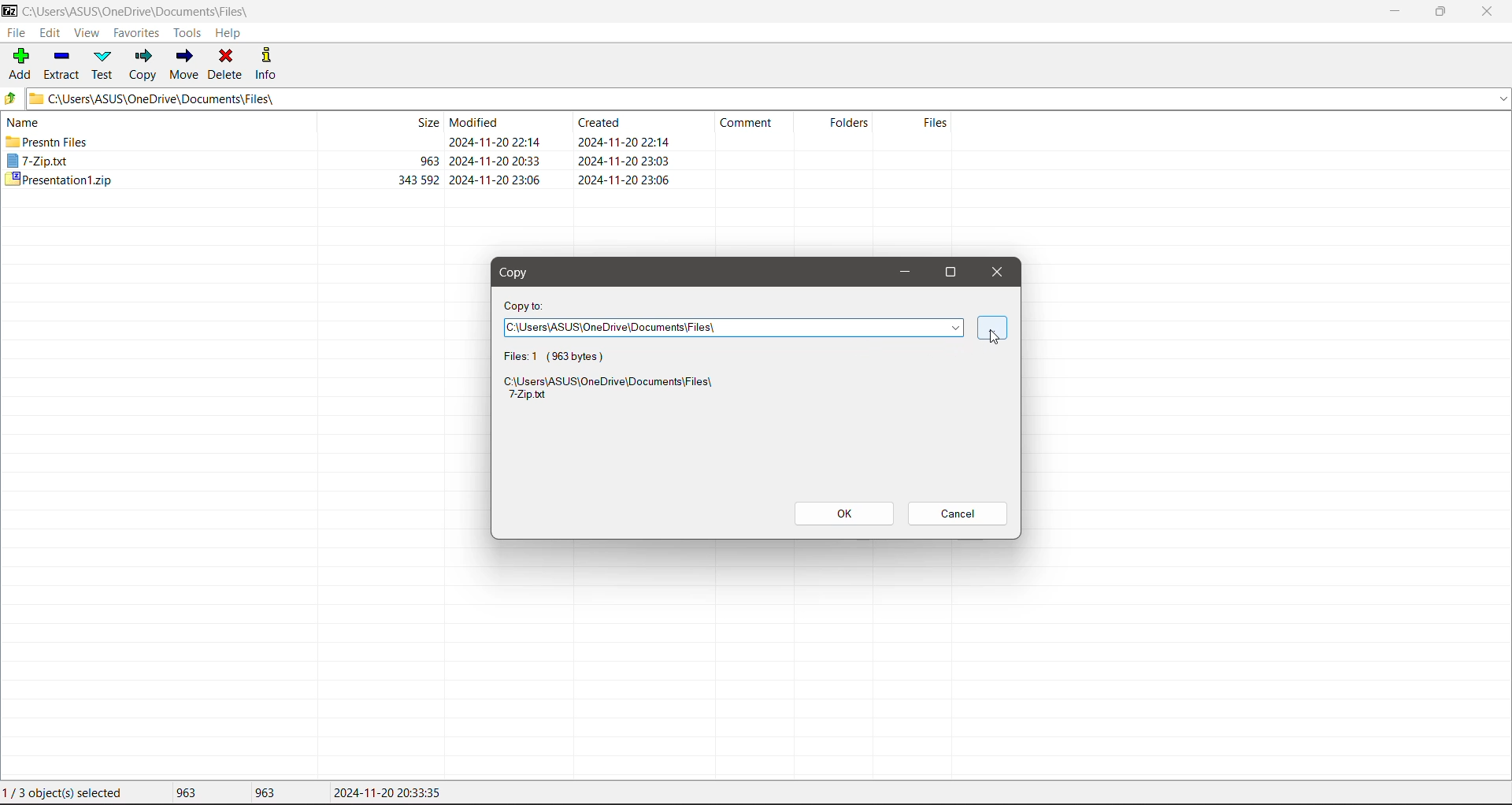 The image size is (1512, 805). Describe the element at coordinates (1393, 11) in the screenshot. I see `Minimize` at that location.